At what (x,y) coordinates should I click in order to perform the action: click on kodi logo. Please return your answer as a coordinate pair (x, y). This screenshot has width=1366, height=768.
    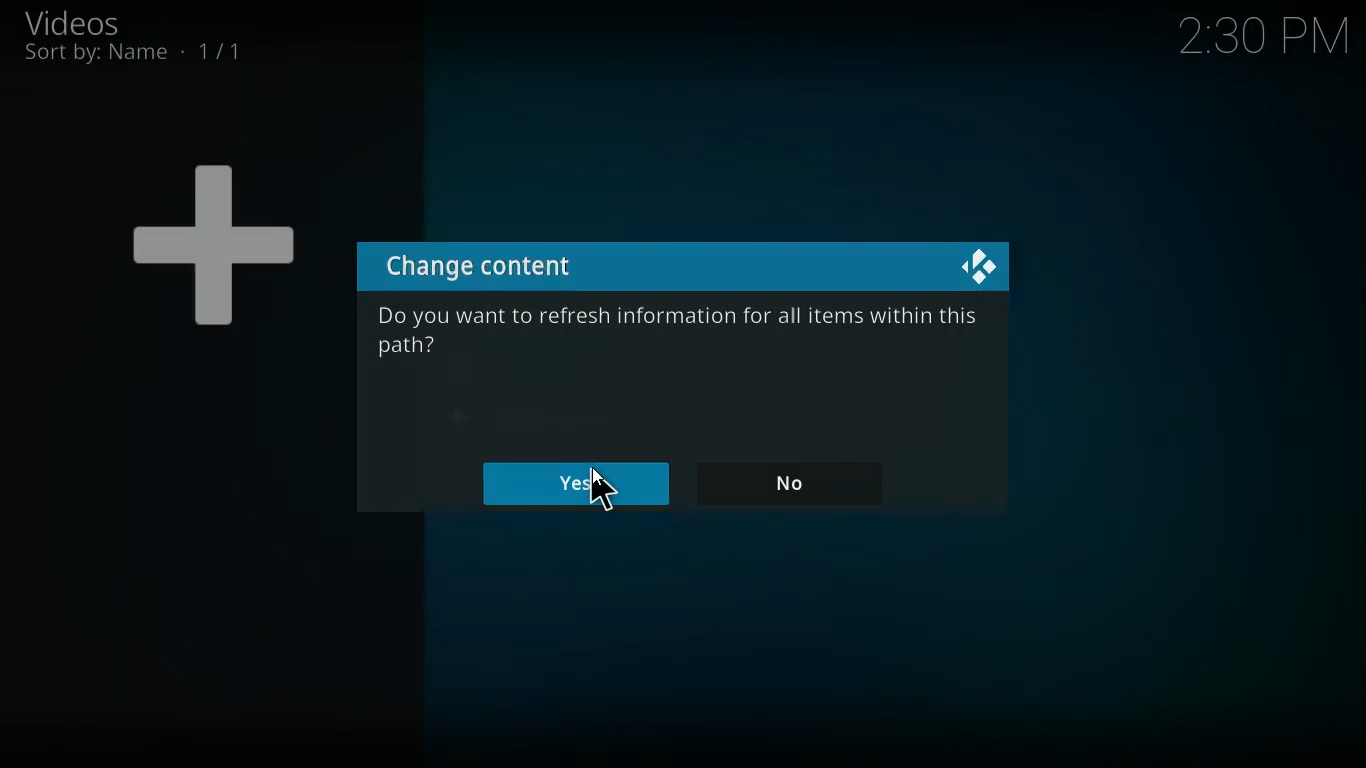
    Looking at the image, I should click on (982, 267).